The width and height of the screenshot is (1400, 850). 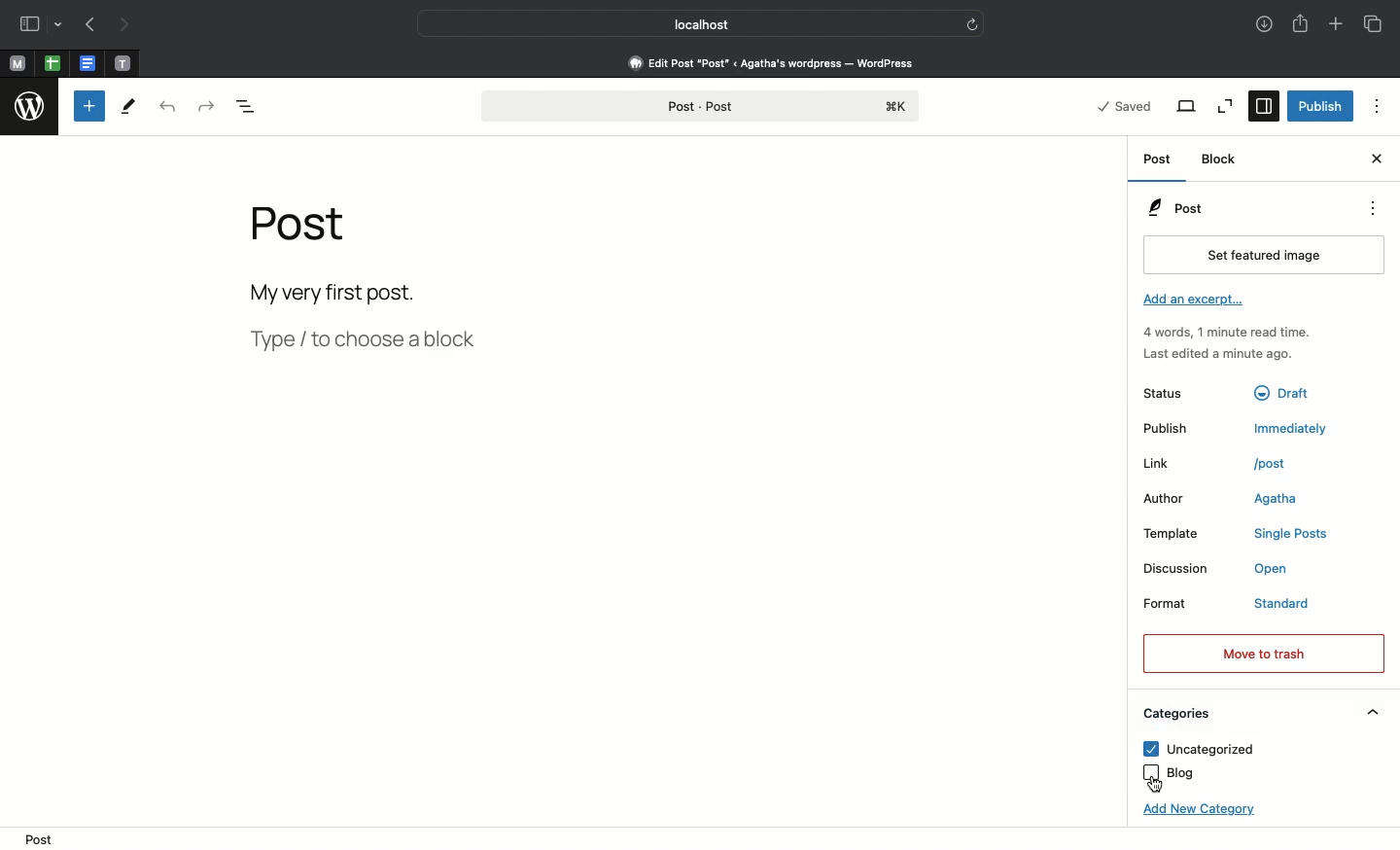 I want to click on Document, so click(x=87, y=64).